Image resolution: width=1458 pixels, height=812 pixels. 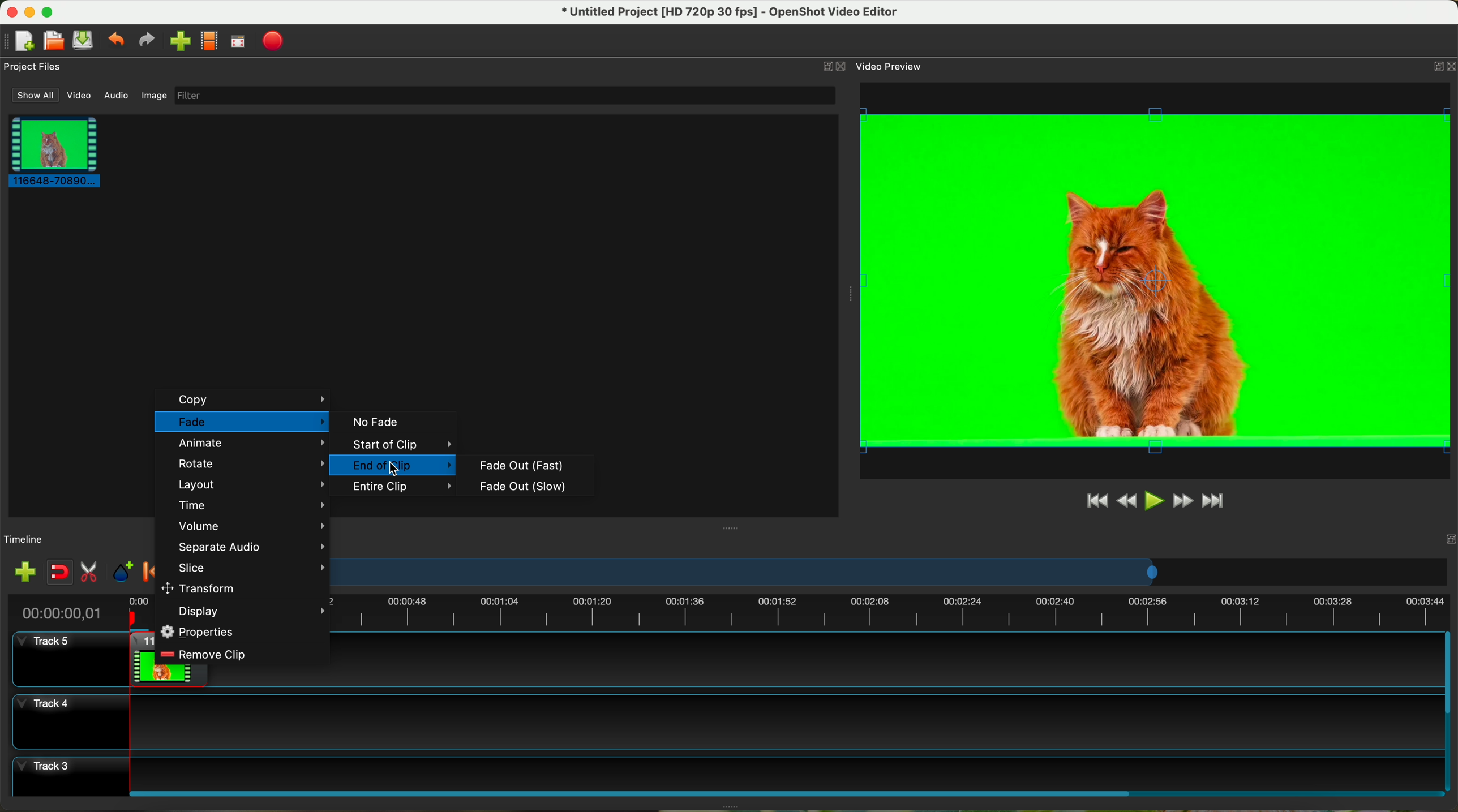 What do you see at coordinates (201, 587) in the screenshot?
I see `transform` at bounding box center [201, 587].